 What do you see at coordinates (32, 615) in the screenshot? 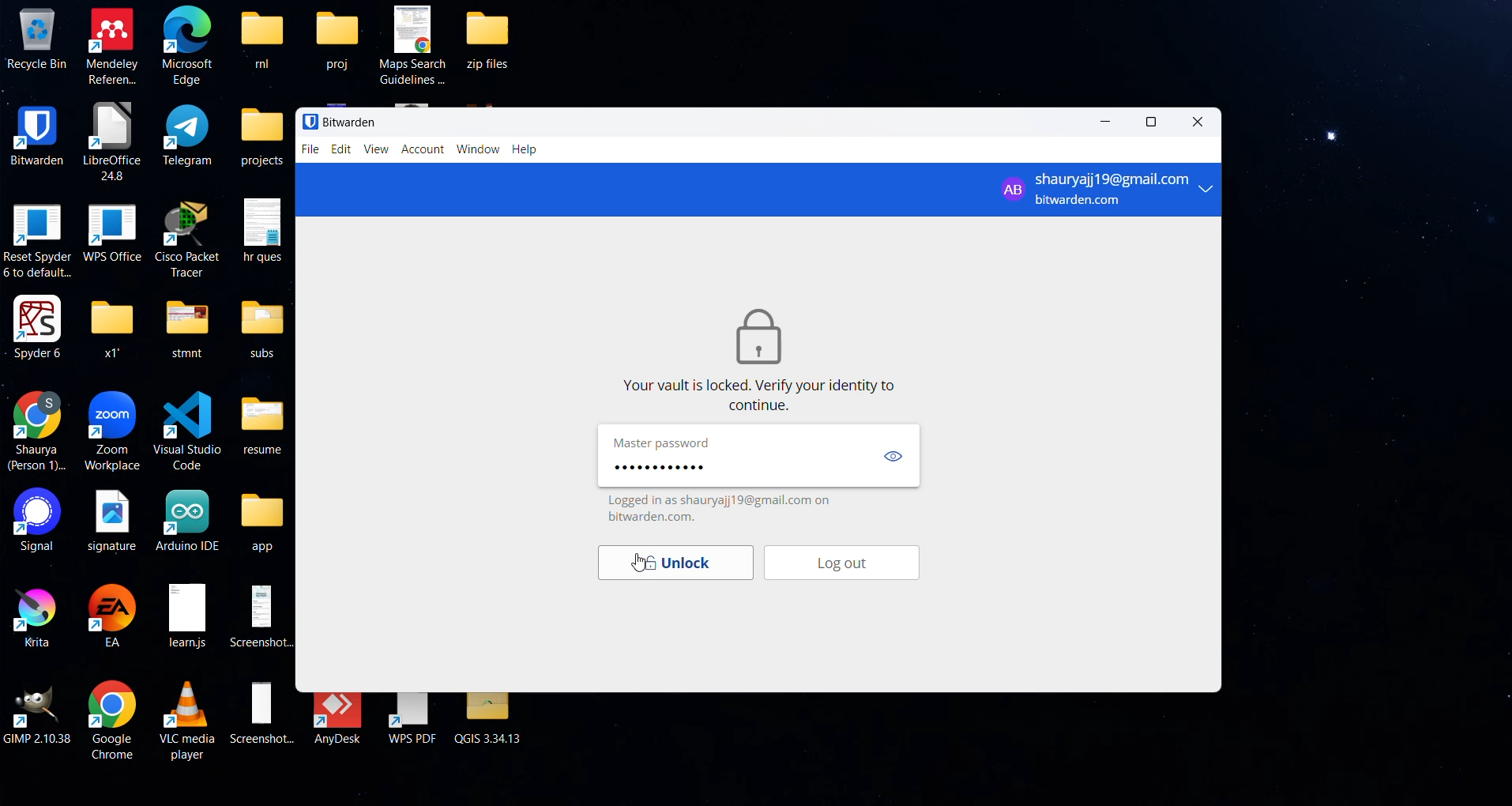
I see `Krita` at bounding box center [32, 615].